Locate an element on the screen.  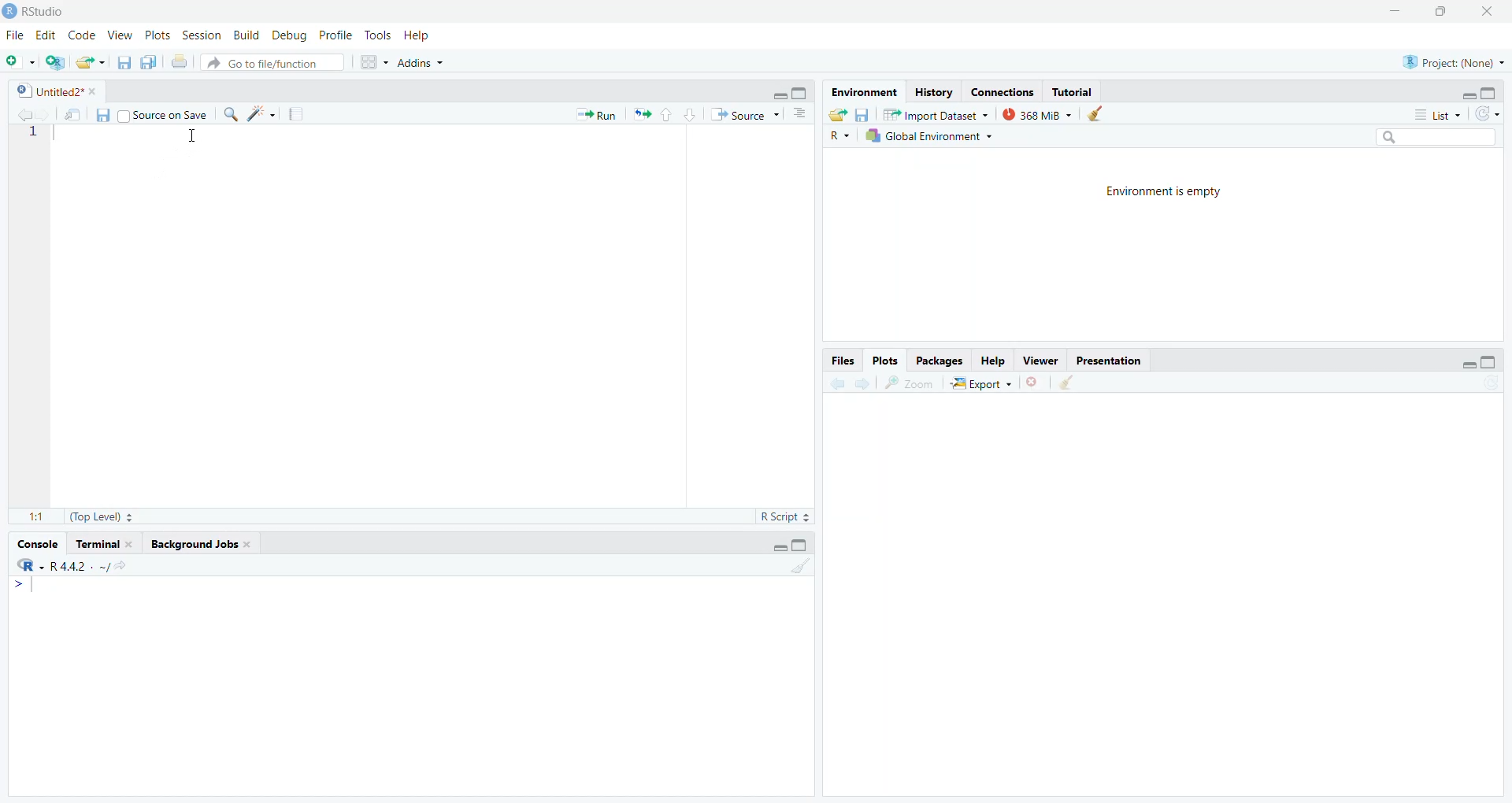
minimise is located at coordinates (775, 94).